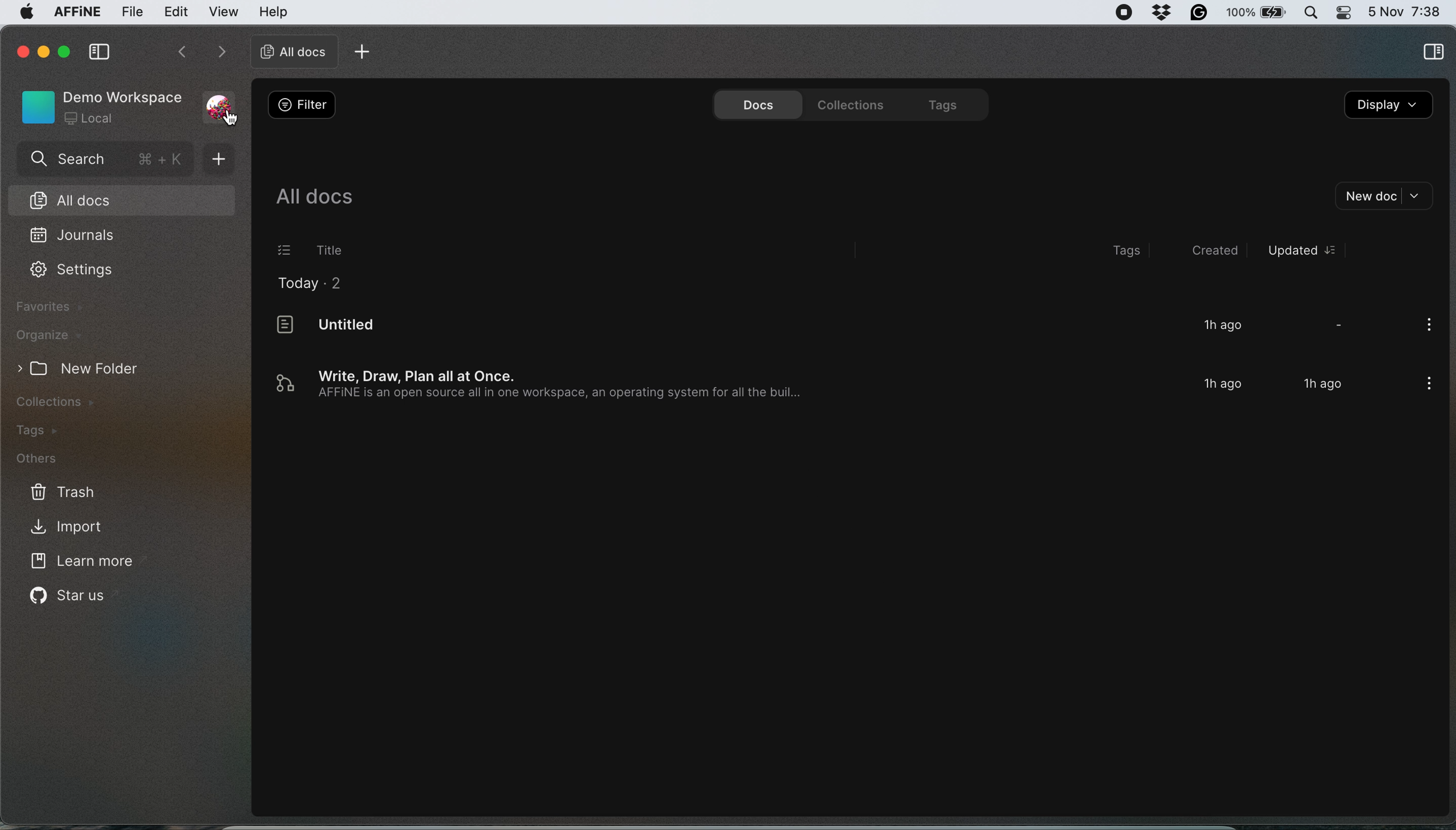 The image size is (1456, 830). What do you see at coordinates (314, 285) in the screenshot?
I see `today` at bounding box center [314, 285].